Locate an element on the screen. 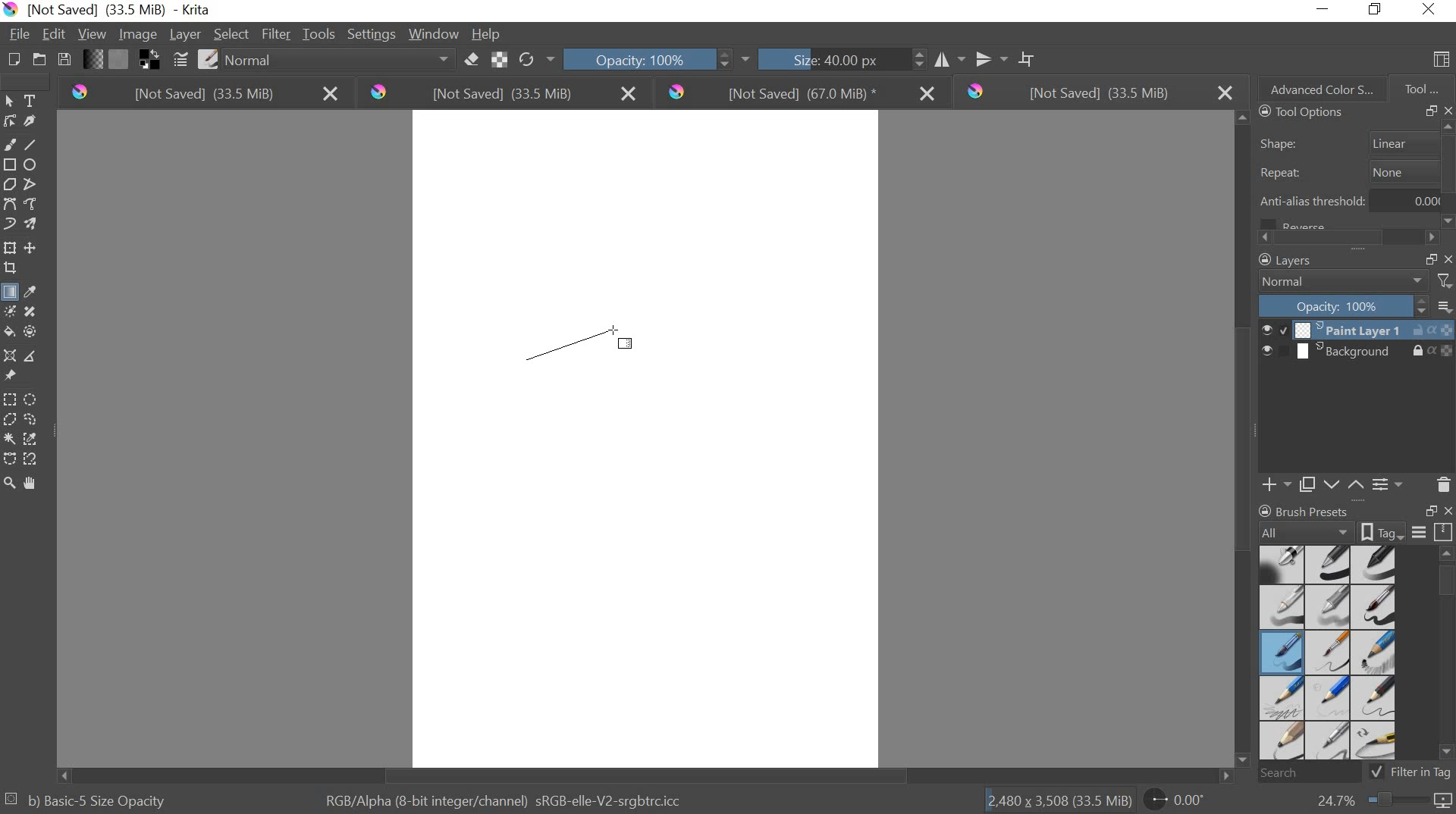 The image size is (1456, 814). MOVE LAYER UP OR DOWN is located at coordinates (1341, 484).